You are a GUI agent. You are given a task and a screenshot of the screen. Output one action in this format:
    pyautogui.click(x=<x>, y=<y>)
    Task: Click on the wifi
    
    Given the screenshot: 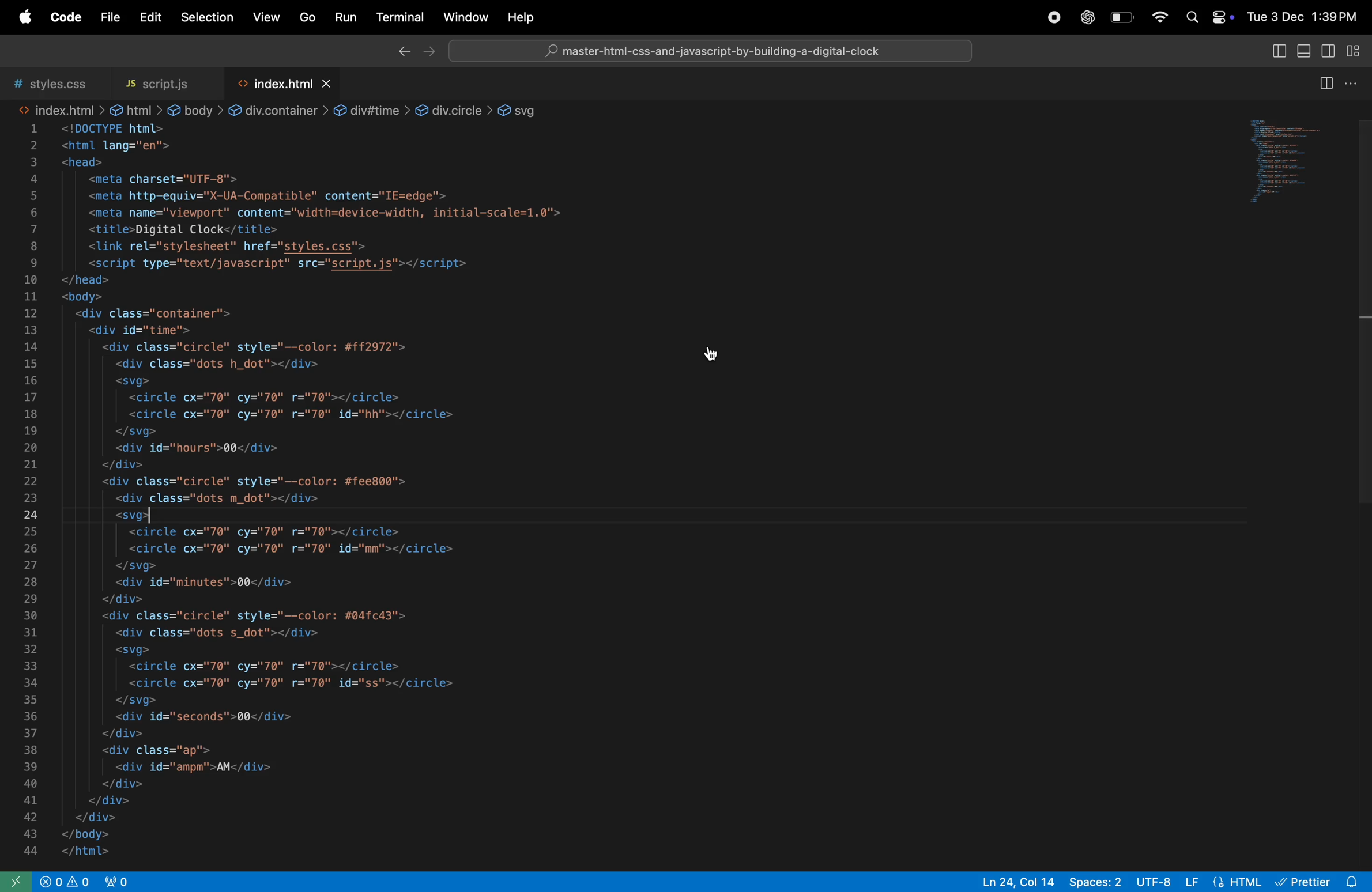 What is the action you would take?
    pyautogui.click(x=1155, y=16)
    